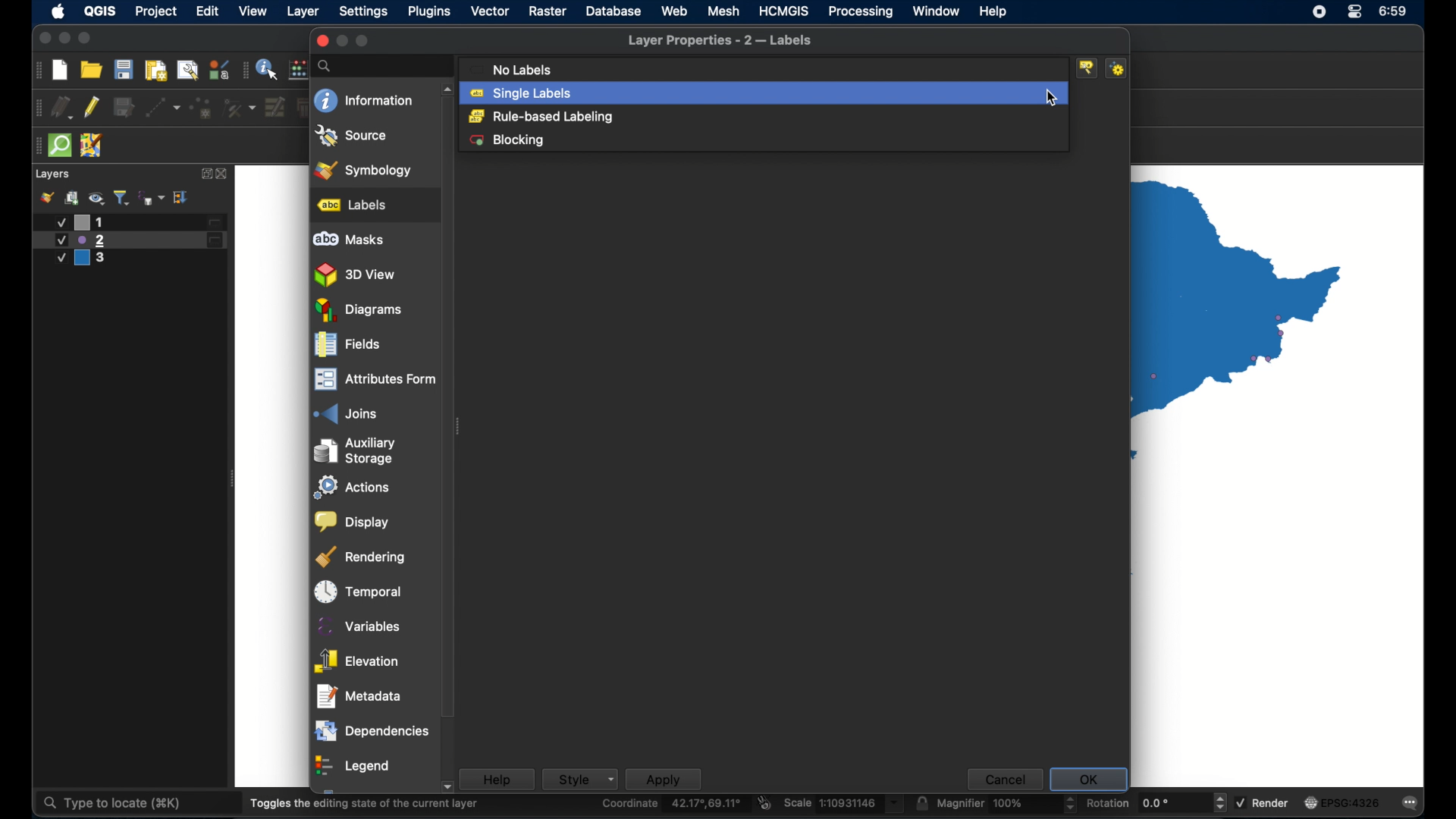 This screenshot has width=1456, height=819. What do you see at coordinates (363, 41) in the screenshot?
I see `maximize` at bounding box center [363, 41].